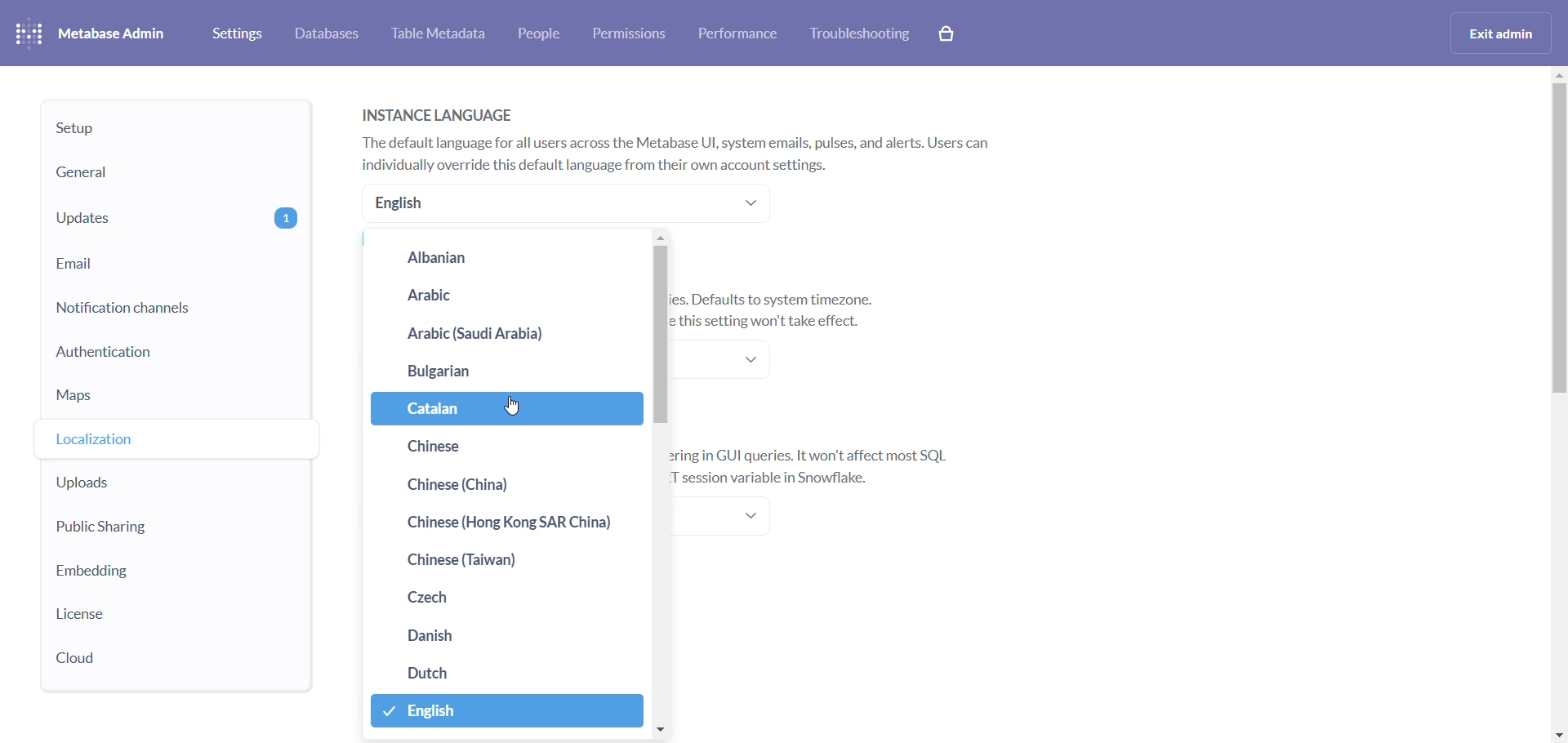  I want to click on general, so click(151, 173).